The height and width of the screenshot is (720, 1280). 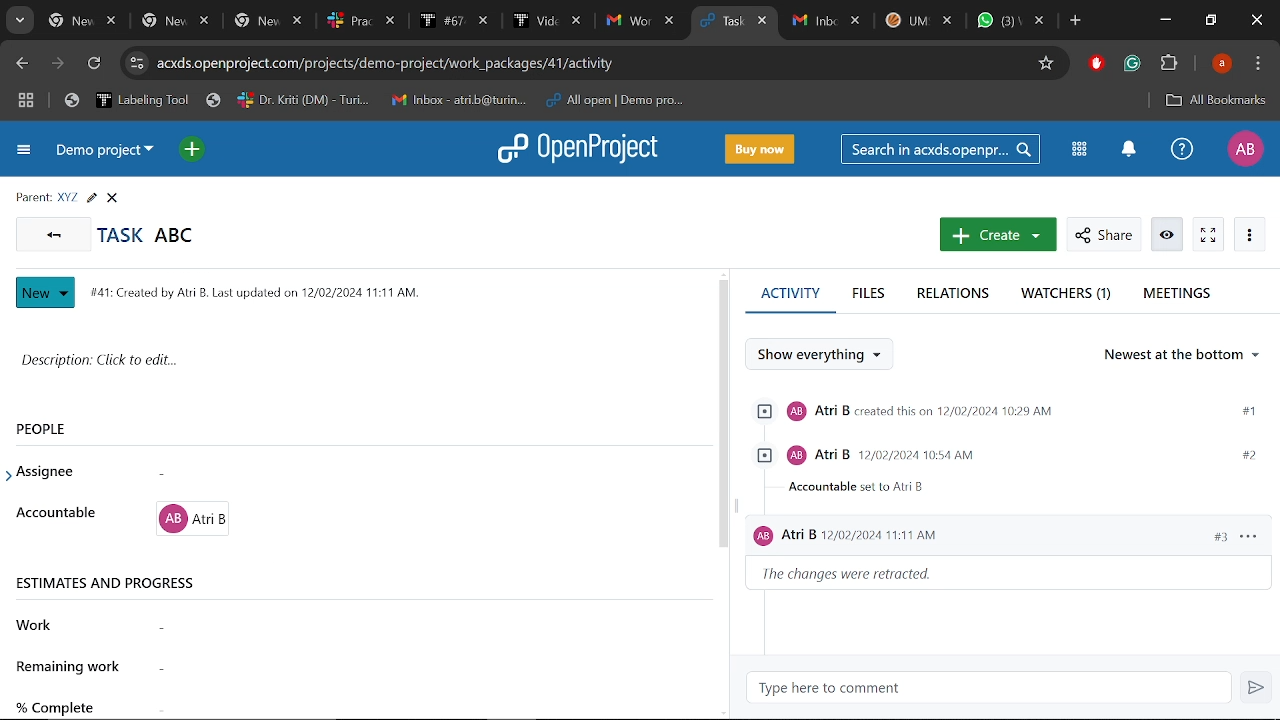 I want to click on Help, so click(x=1181, y=153).